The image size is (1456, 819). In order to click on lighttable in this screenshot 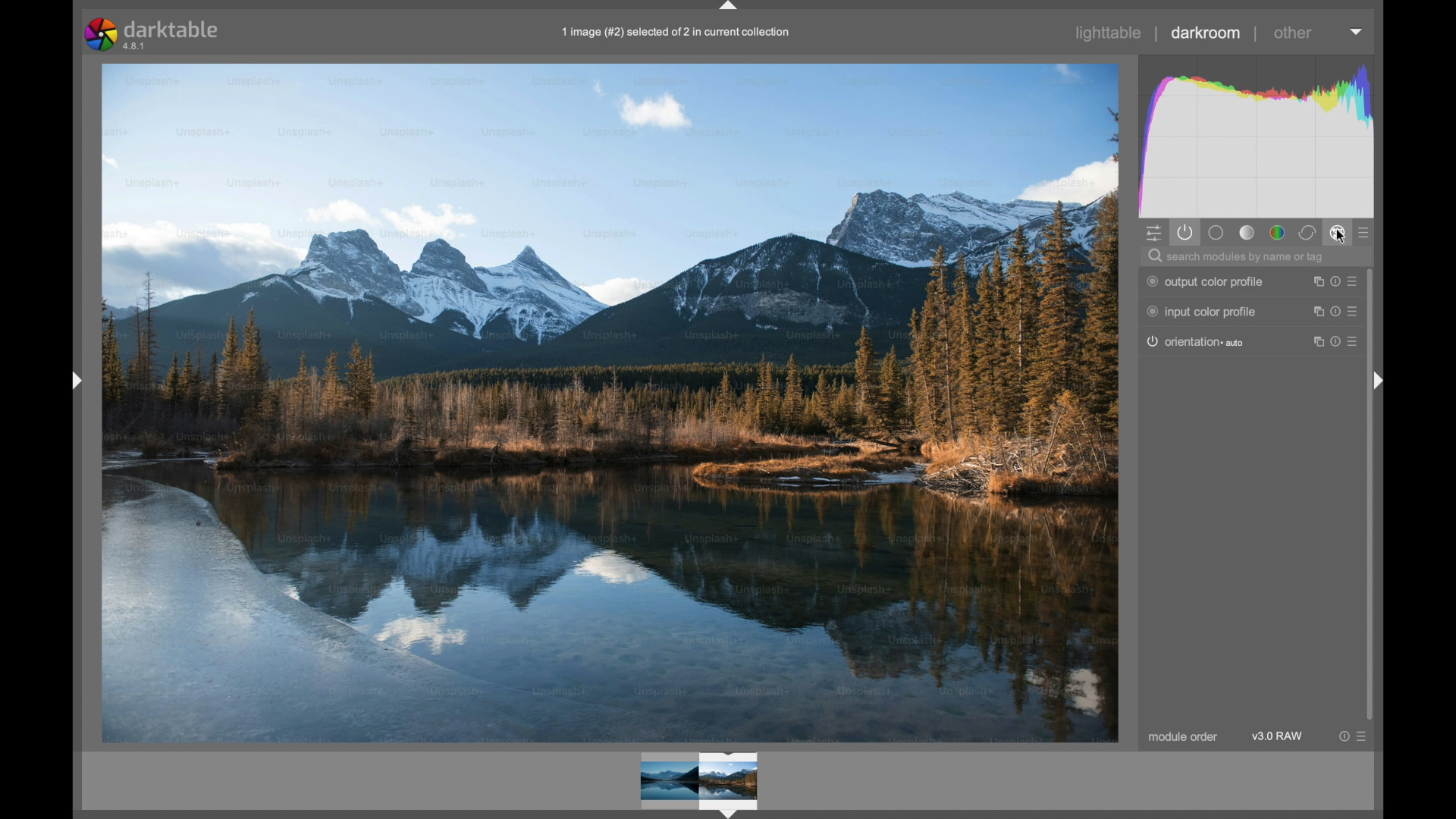, I will do `click(1109, 33)`.